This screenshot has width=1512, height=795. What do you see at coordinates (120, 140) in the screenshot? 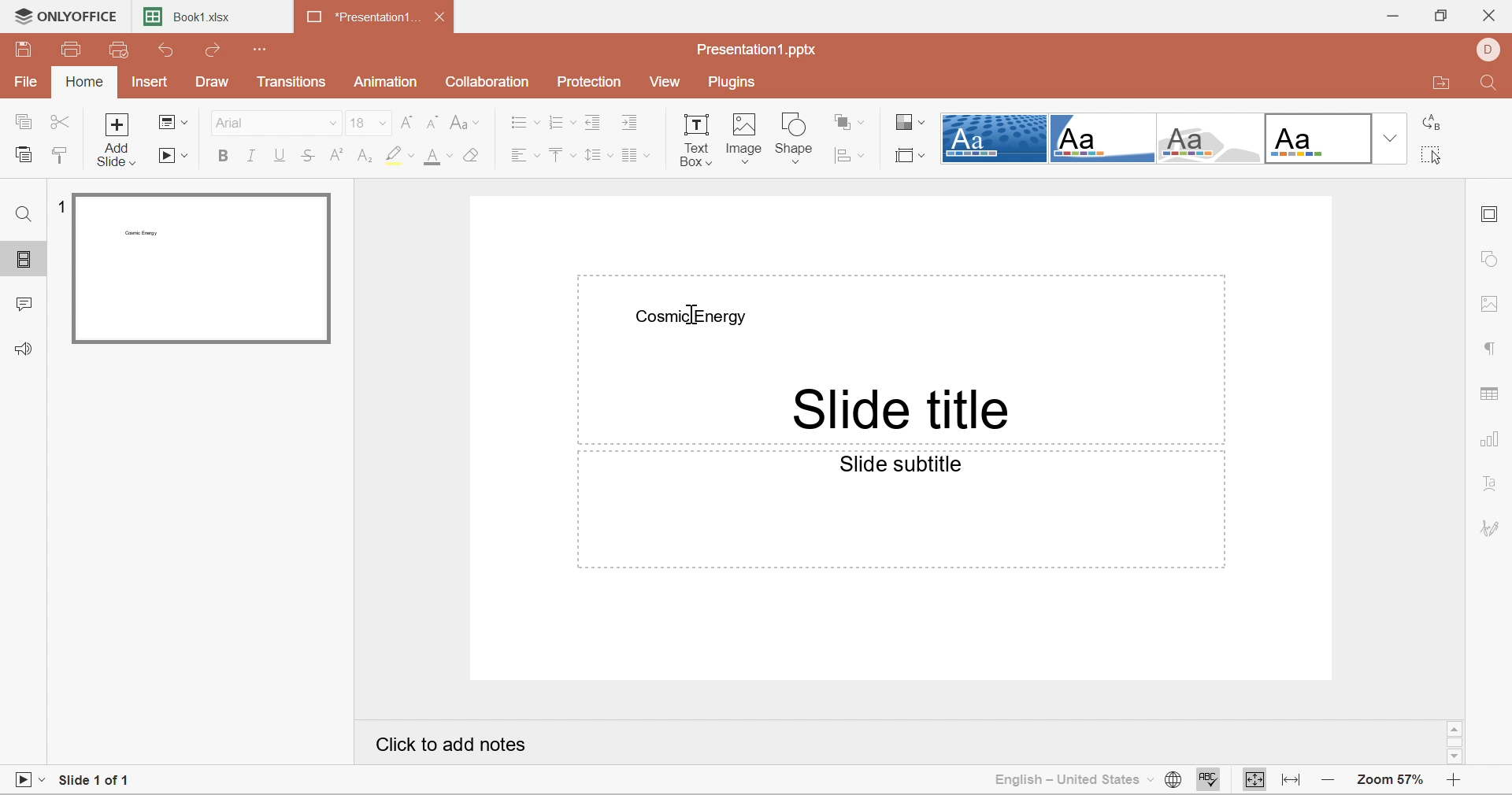
I see `Add slide` at bounding box center [120, 140].